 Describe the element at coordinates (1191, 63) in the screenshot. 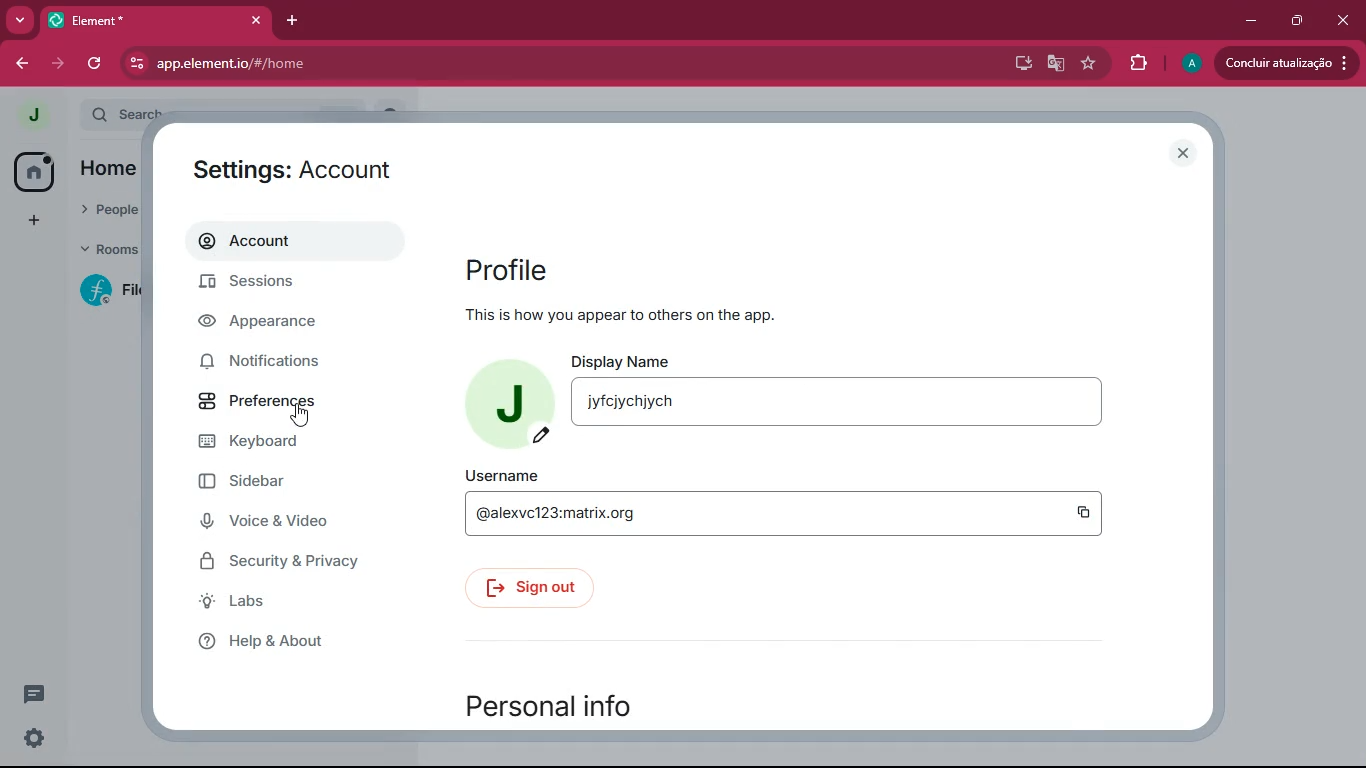

I see `profile` at that location.